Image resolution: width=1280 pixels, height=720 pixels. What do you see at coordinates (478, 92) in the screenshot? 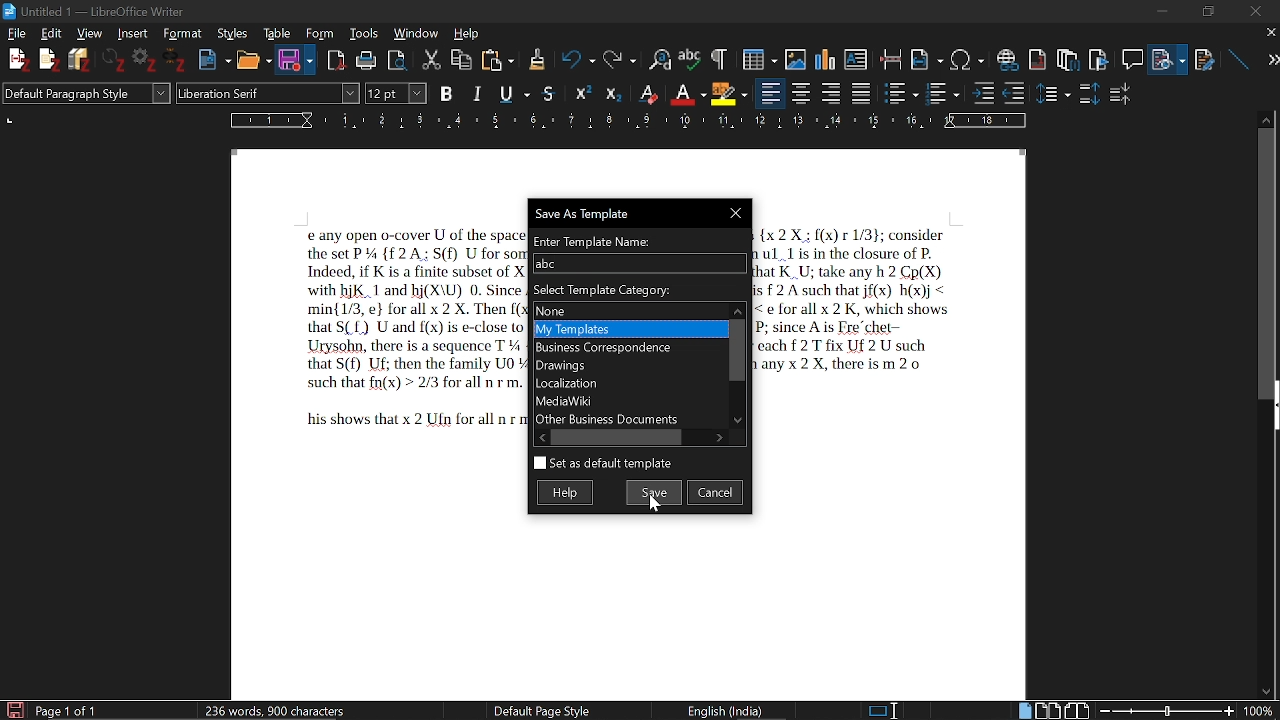
I see `Italics` at bounding box center [478, 92].